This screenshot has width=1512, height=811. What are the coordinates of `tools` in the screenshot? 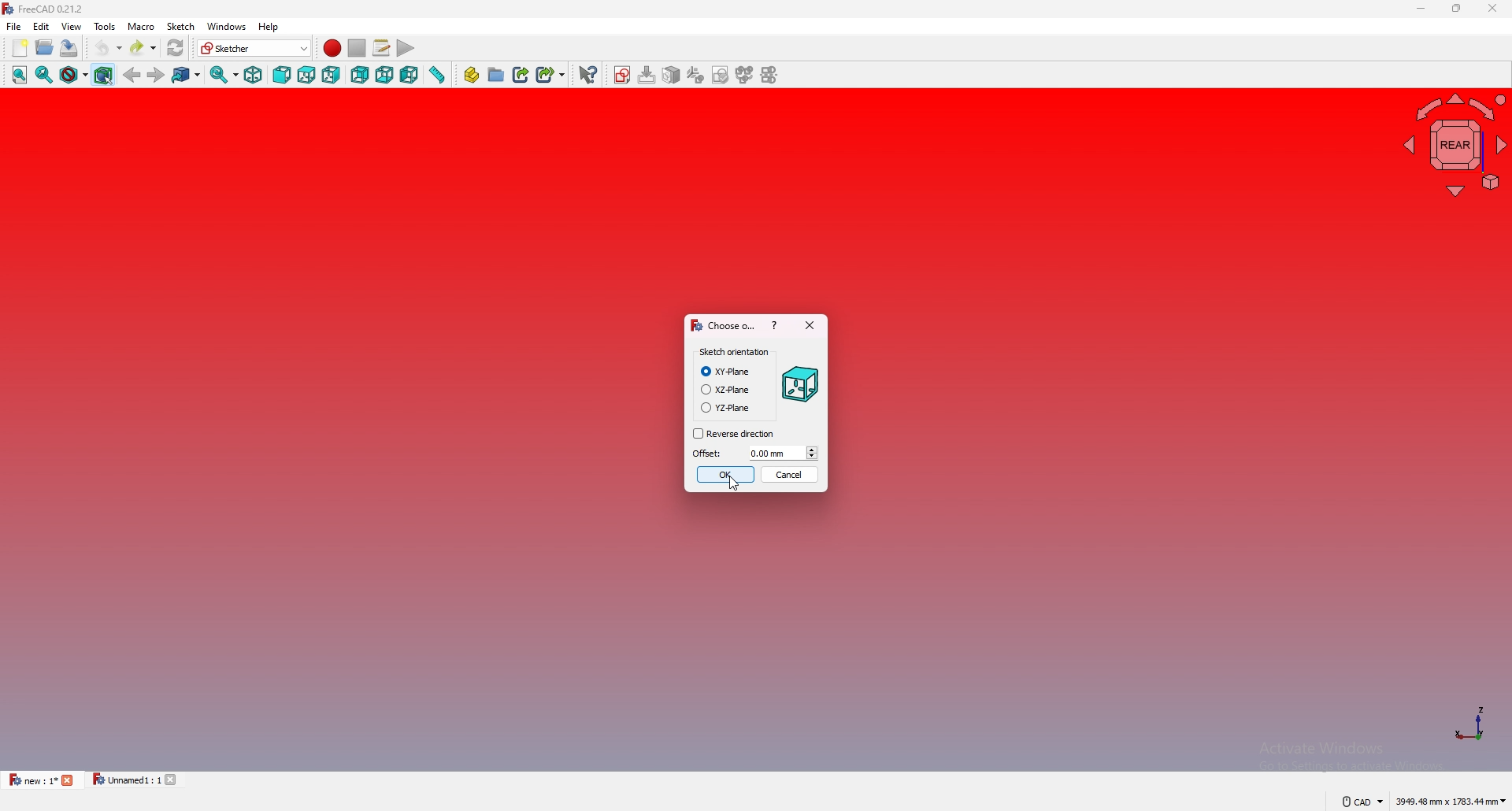 It's located at (105, 26).